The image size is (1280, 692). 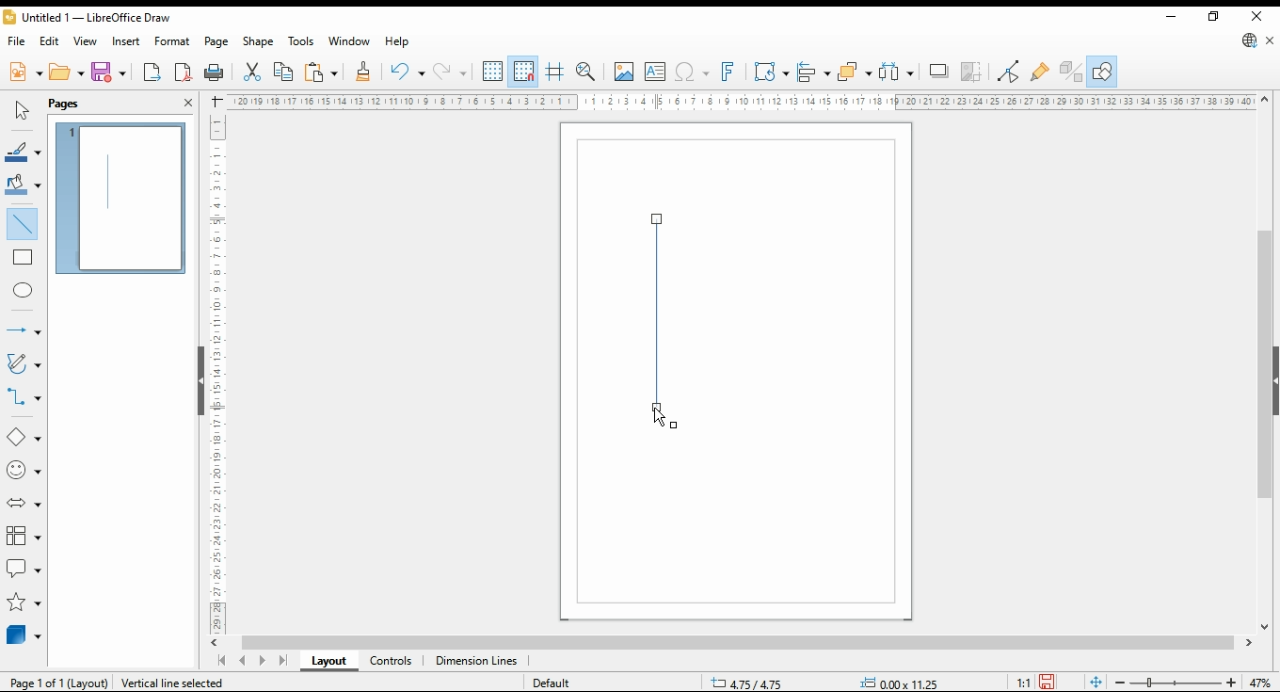 What do you see at coordinates (90, 20) in the screenshot?
I see `icon and filename` at bounding box center [90, 20].